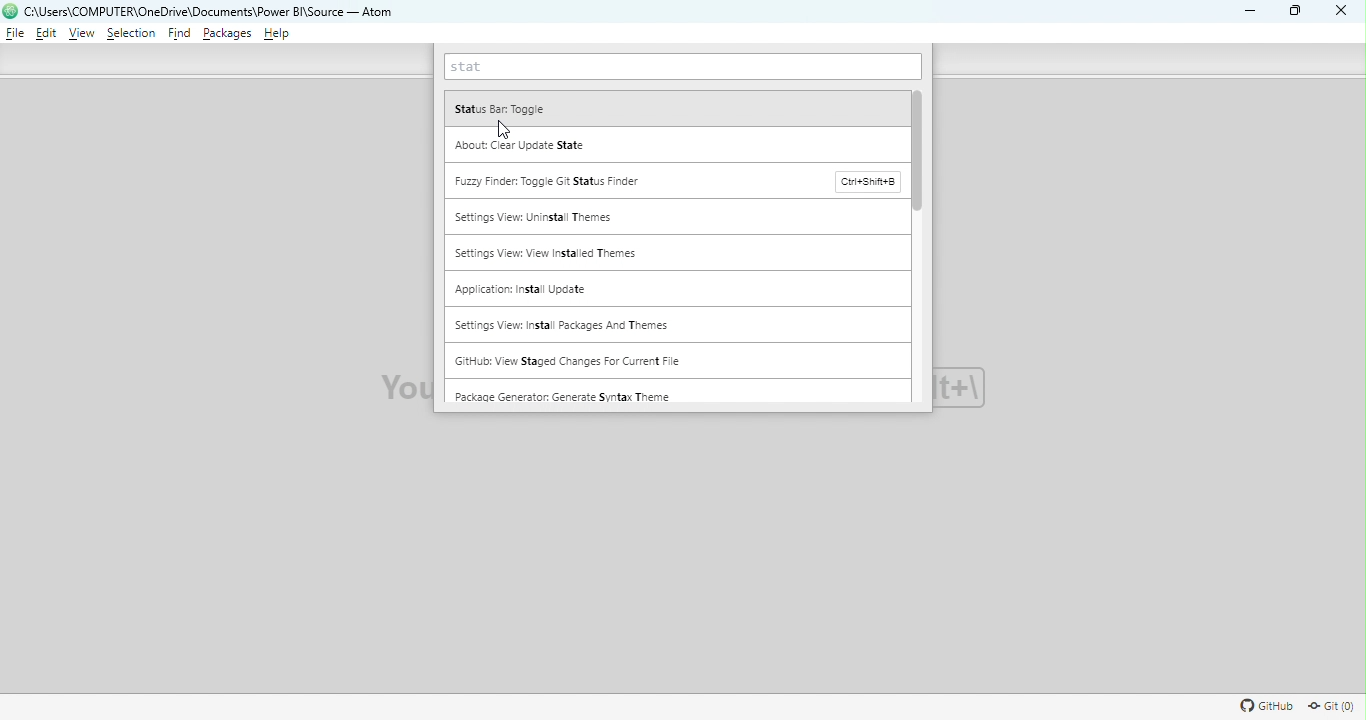  Describe the element at coordinates (11, 11) in the screenshot. I see `logo ` at that location.